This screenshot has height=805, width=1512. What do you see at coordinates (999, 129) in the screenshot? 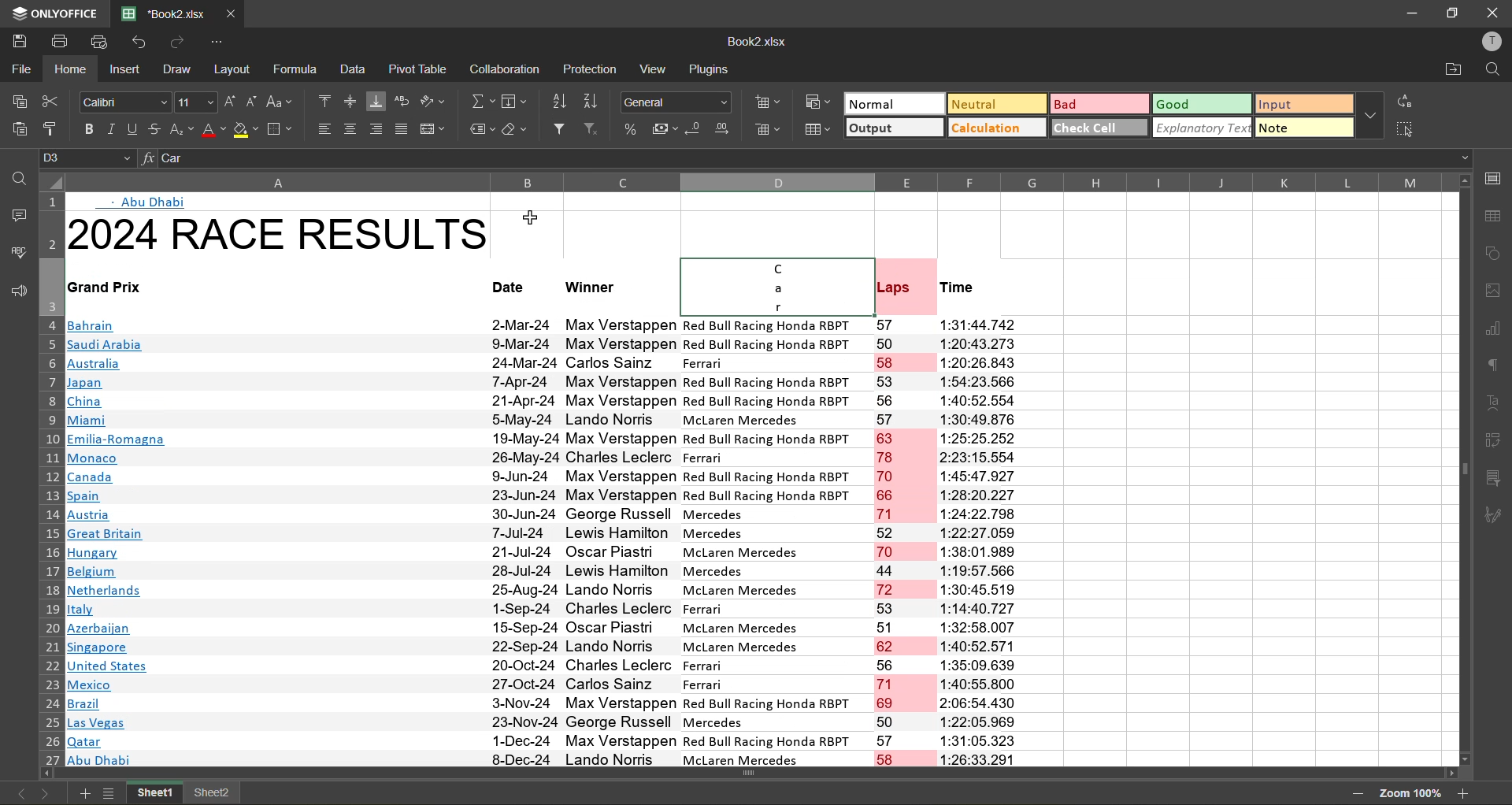
I see `calculation` at bounding box center [999, 129].